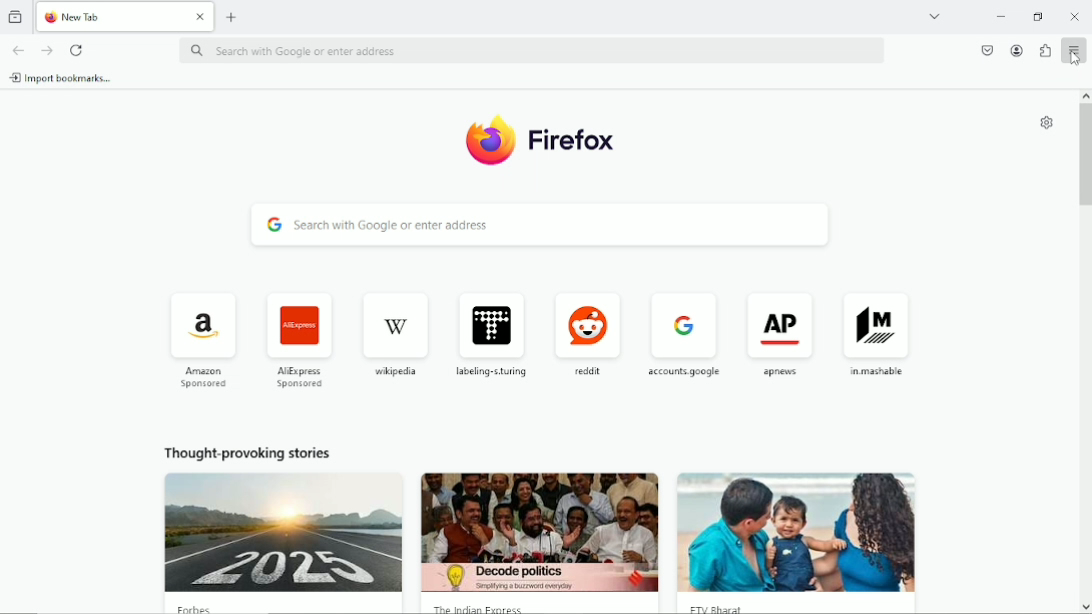  Describe the element at coordinates (200, 17) in the screenshot. I see `close tab` at that location.